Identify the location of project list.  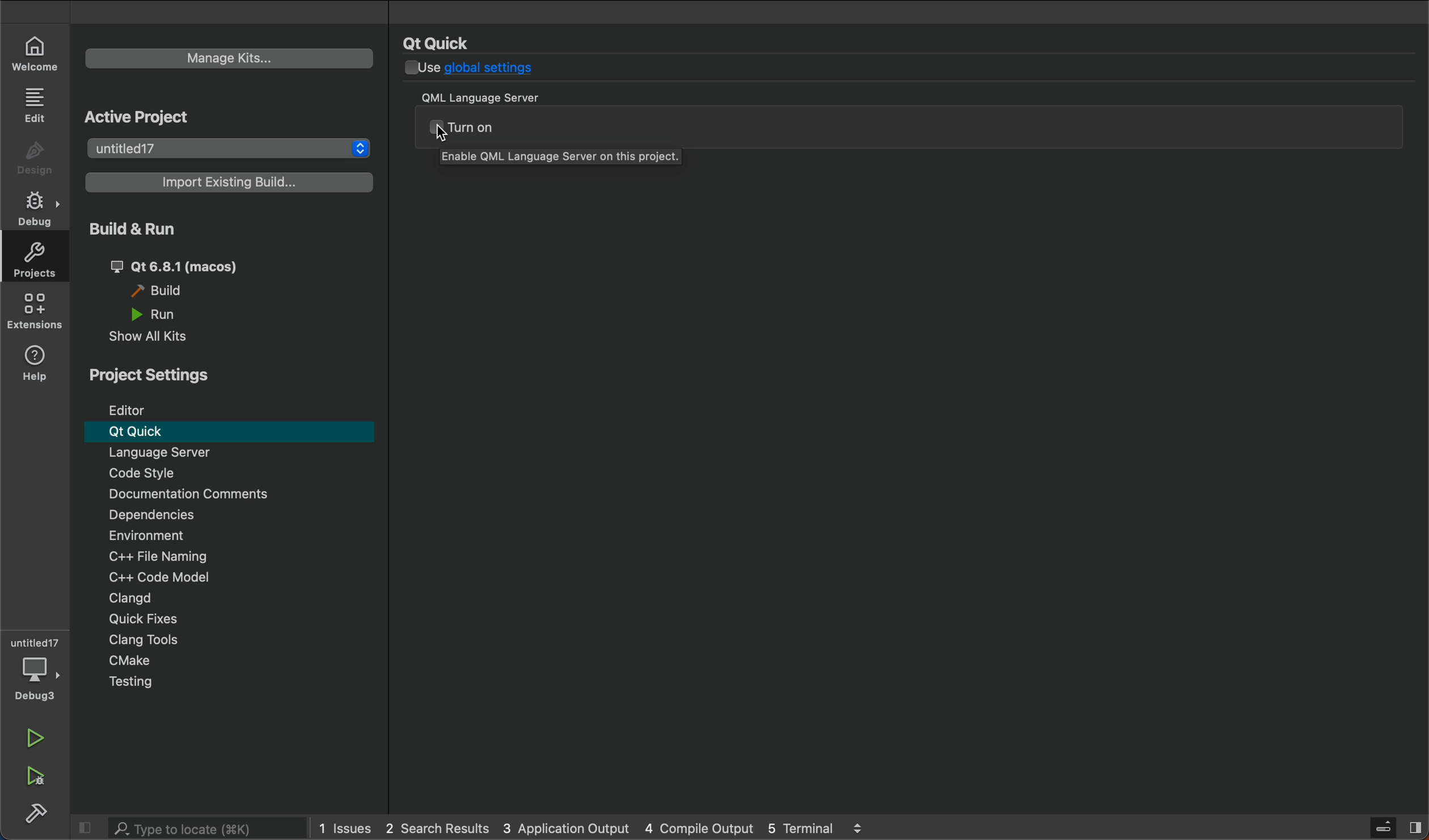
(230, 146).